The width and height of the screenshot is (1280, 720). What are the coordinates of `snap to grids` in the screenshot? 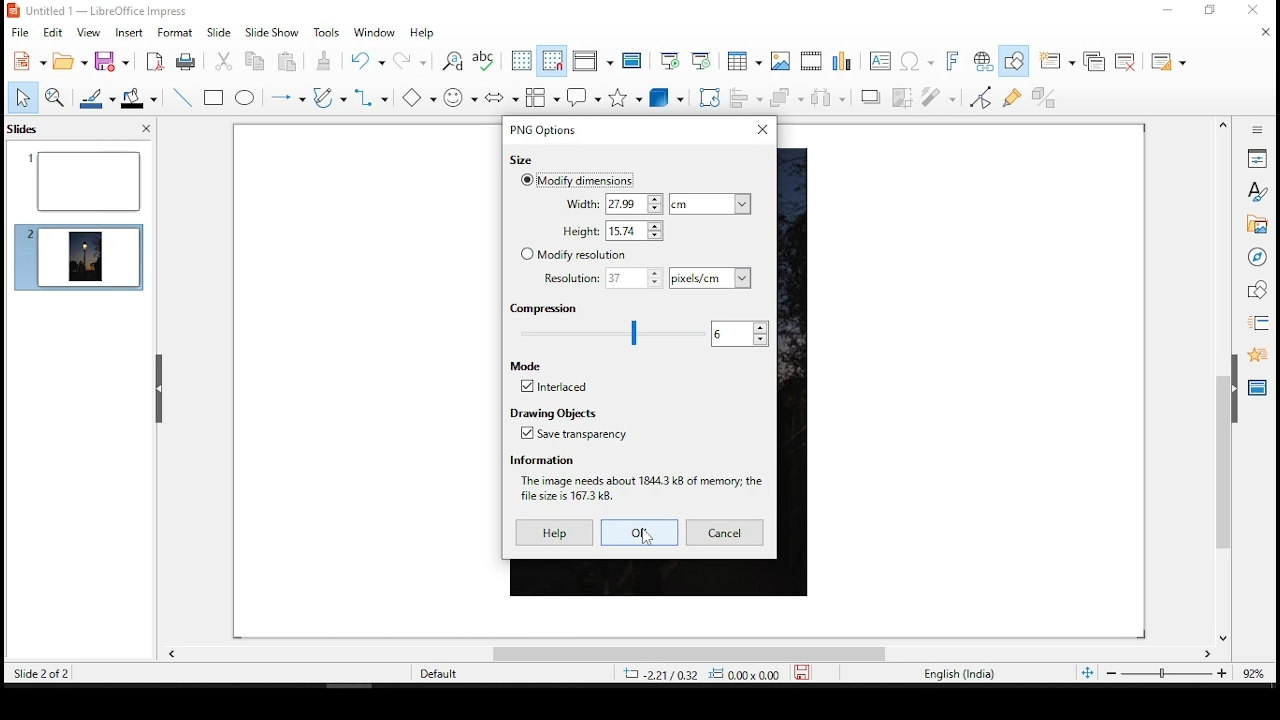 It's located at (551, 61).